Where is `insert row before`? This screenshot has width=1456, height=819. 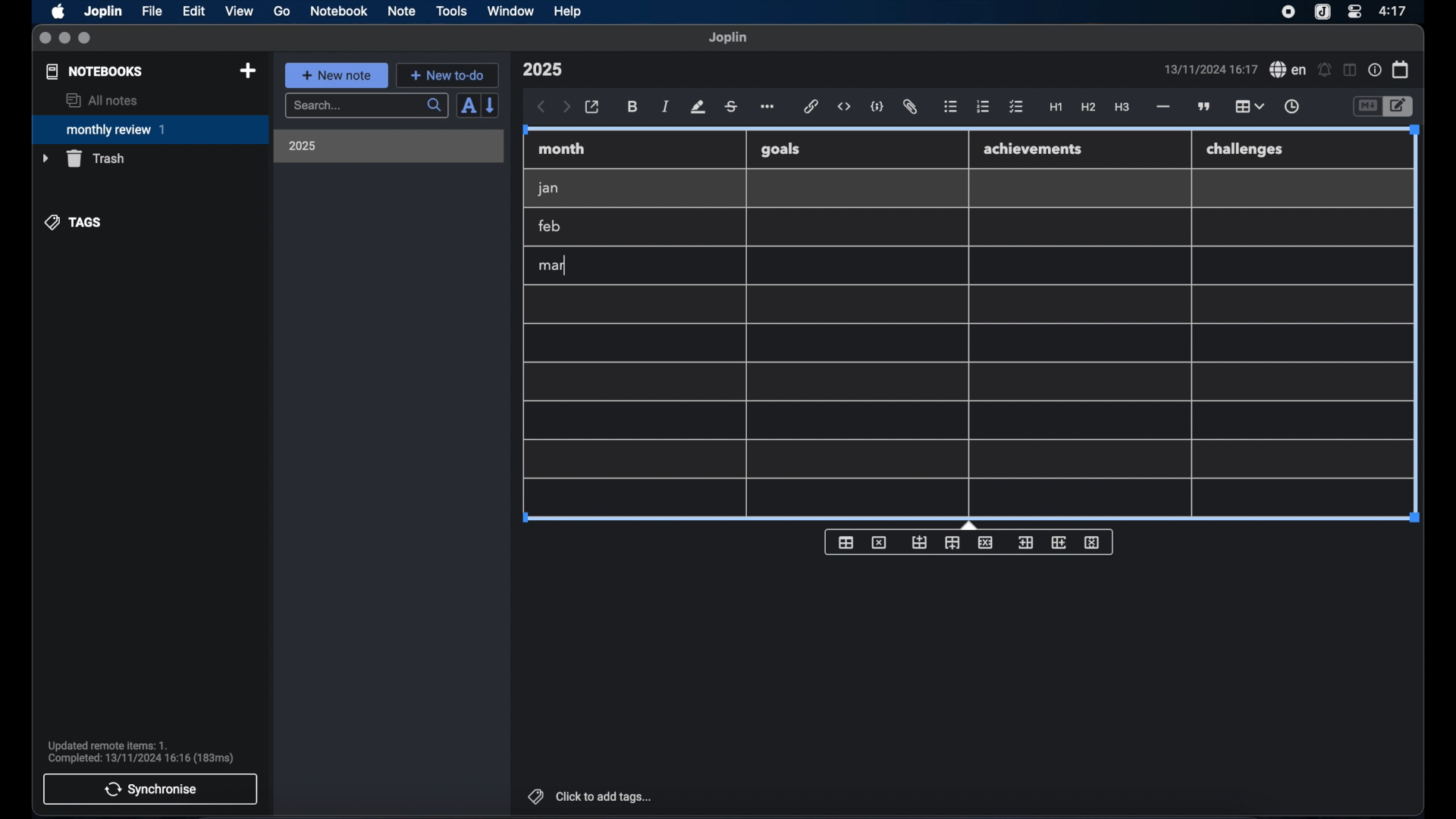 insert row before is located at coordinates (920, 543).